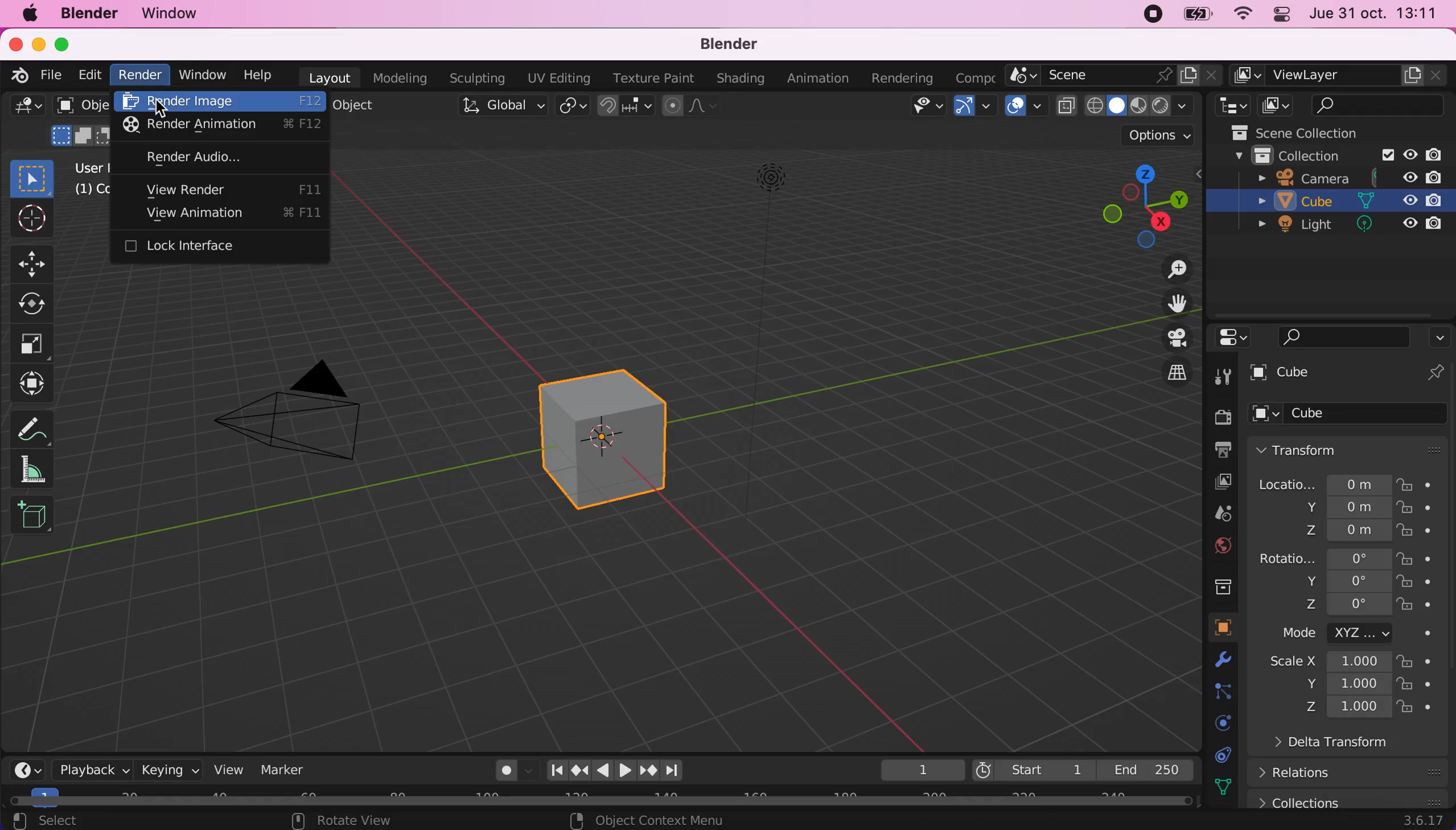 The height and width of the screenshot is (830, 1456). Describe the element at coordinates (1331, 685) in the screenshot. I see `scale measures` at that location.